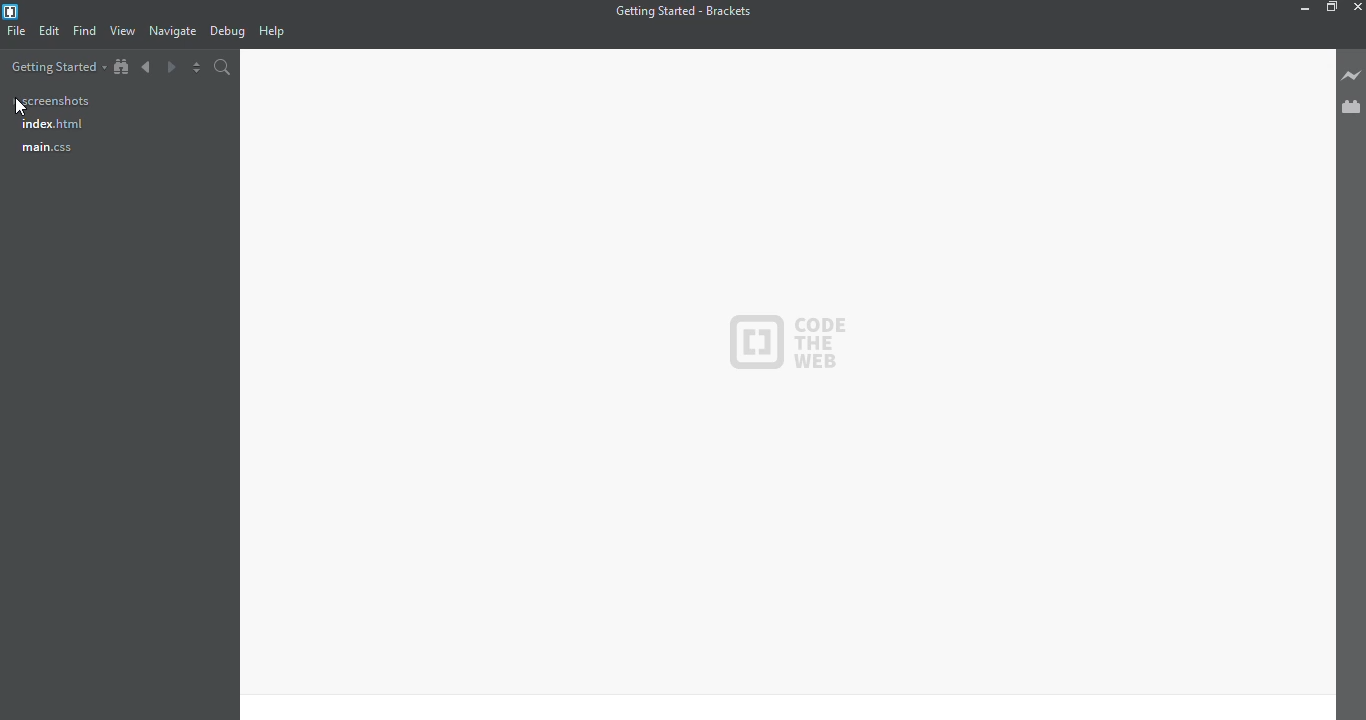 Image resolution: width=1366 pixels, height=720 pixels. What do you see at coordinates (222, 67) in the screenshot?
I see `search` at bounding box center [222, 67].